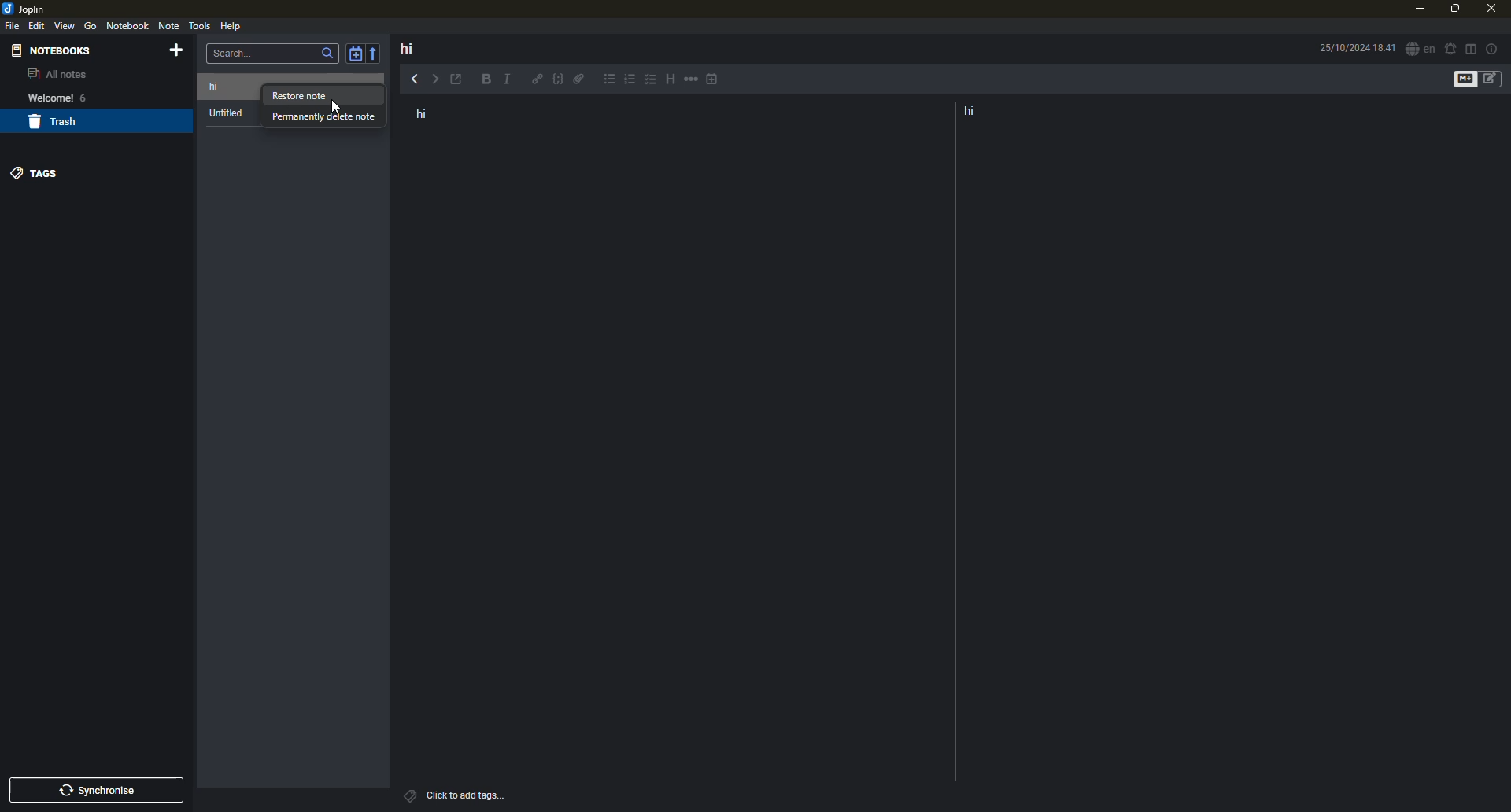 Image resolution: width=1511 pixels, height=812 pixels. I want to click on hi, so click(975, 112).